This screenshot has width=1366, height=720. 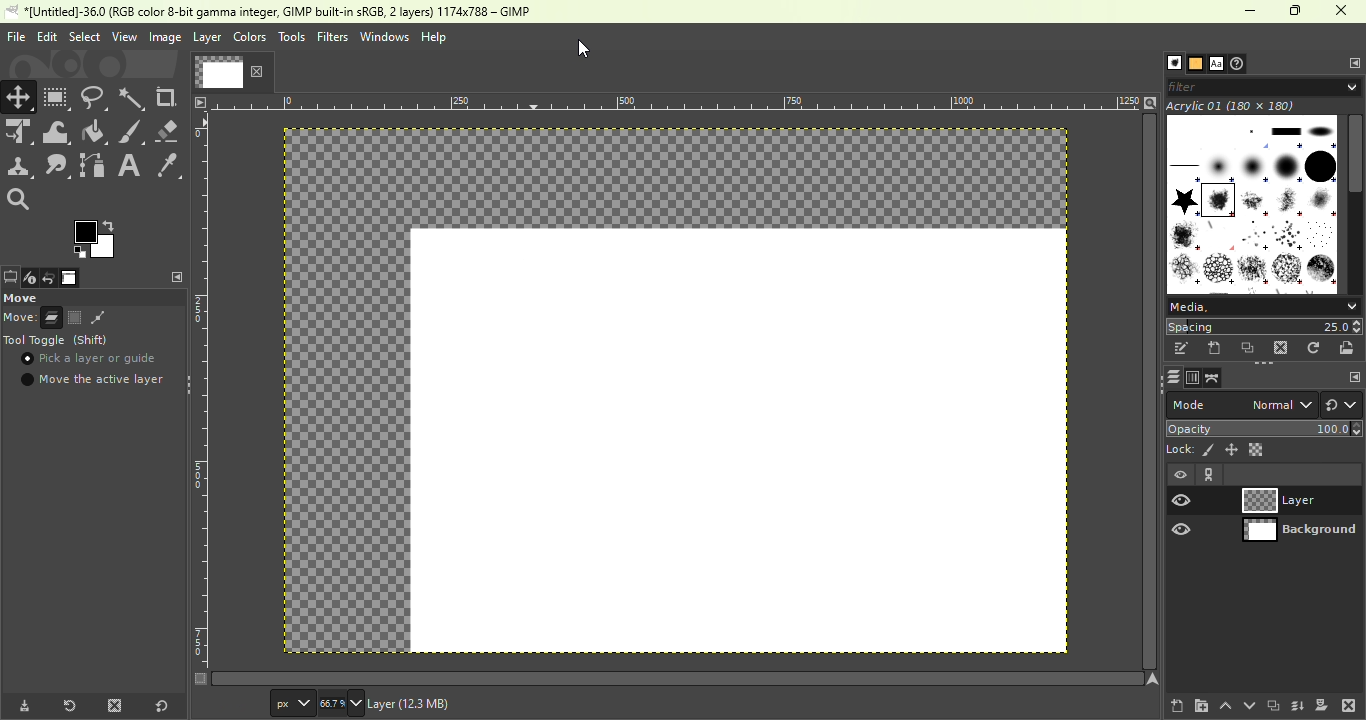 I want to click on Fonts, so click(x=1216, y=61).